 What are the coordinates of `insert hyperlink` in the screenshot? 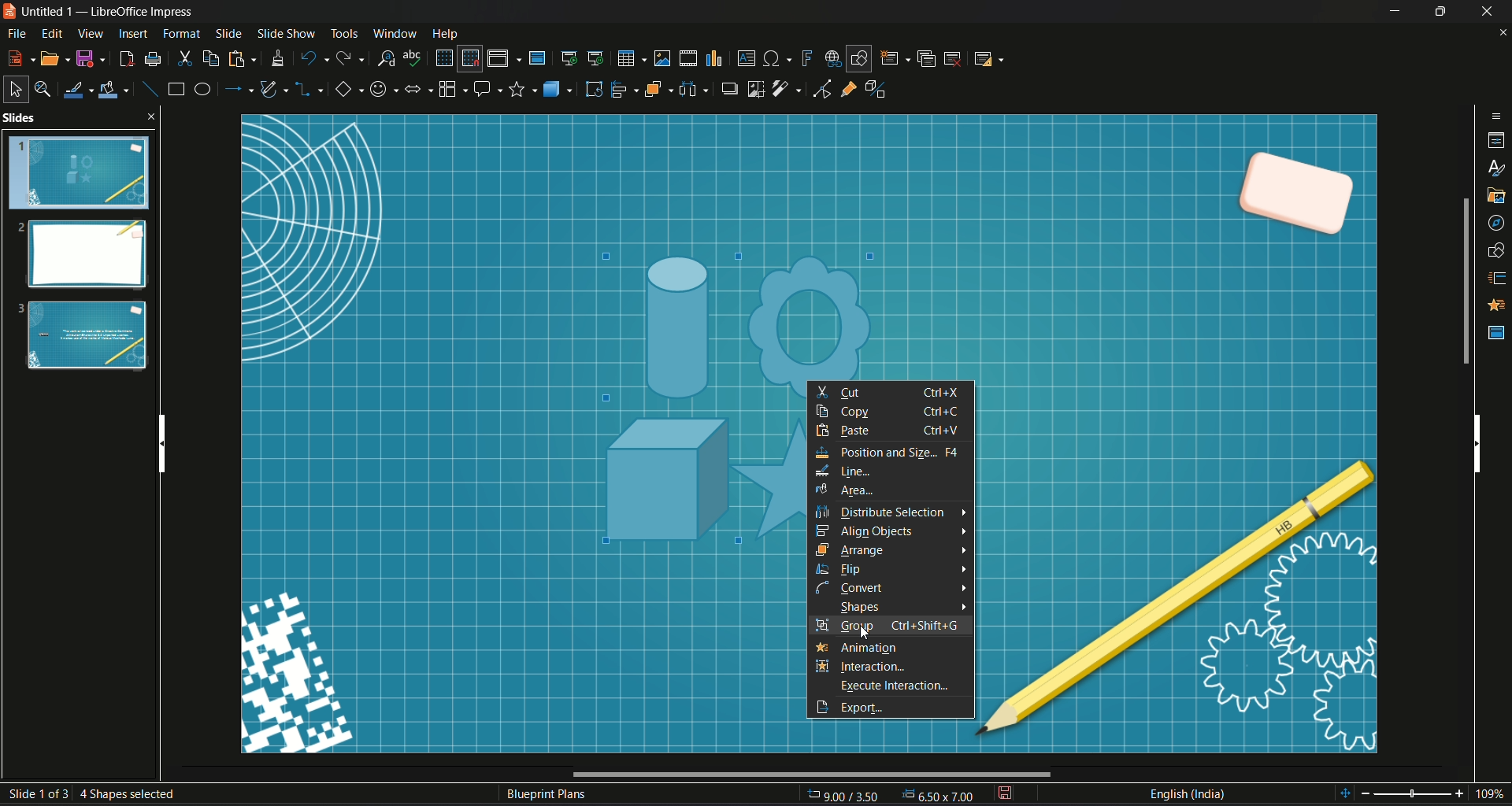 It's located at (832, 58).